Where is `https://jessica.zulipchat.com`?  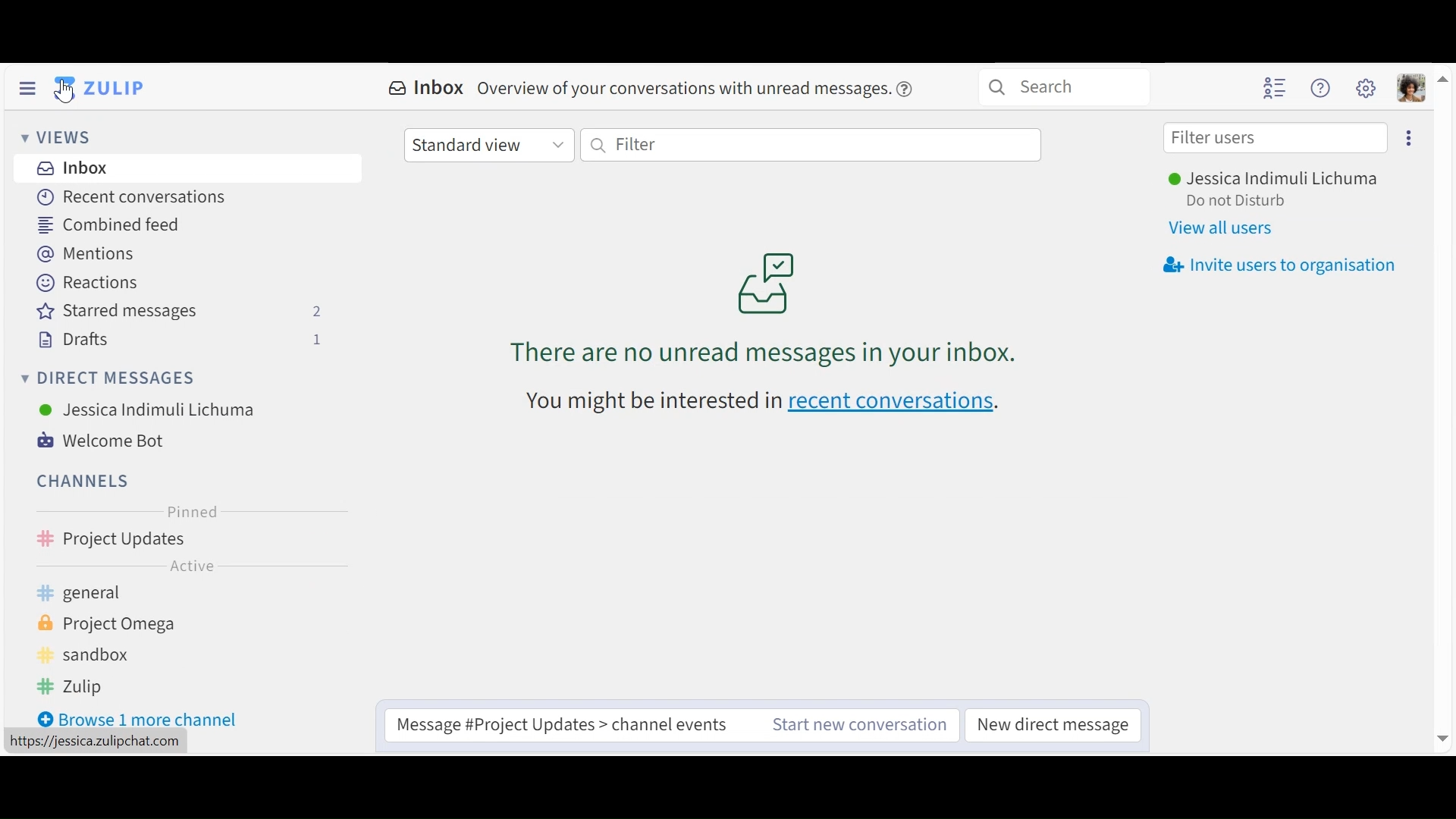
https://jessica.zulipchat.com is located at coordinates (93, 743).